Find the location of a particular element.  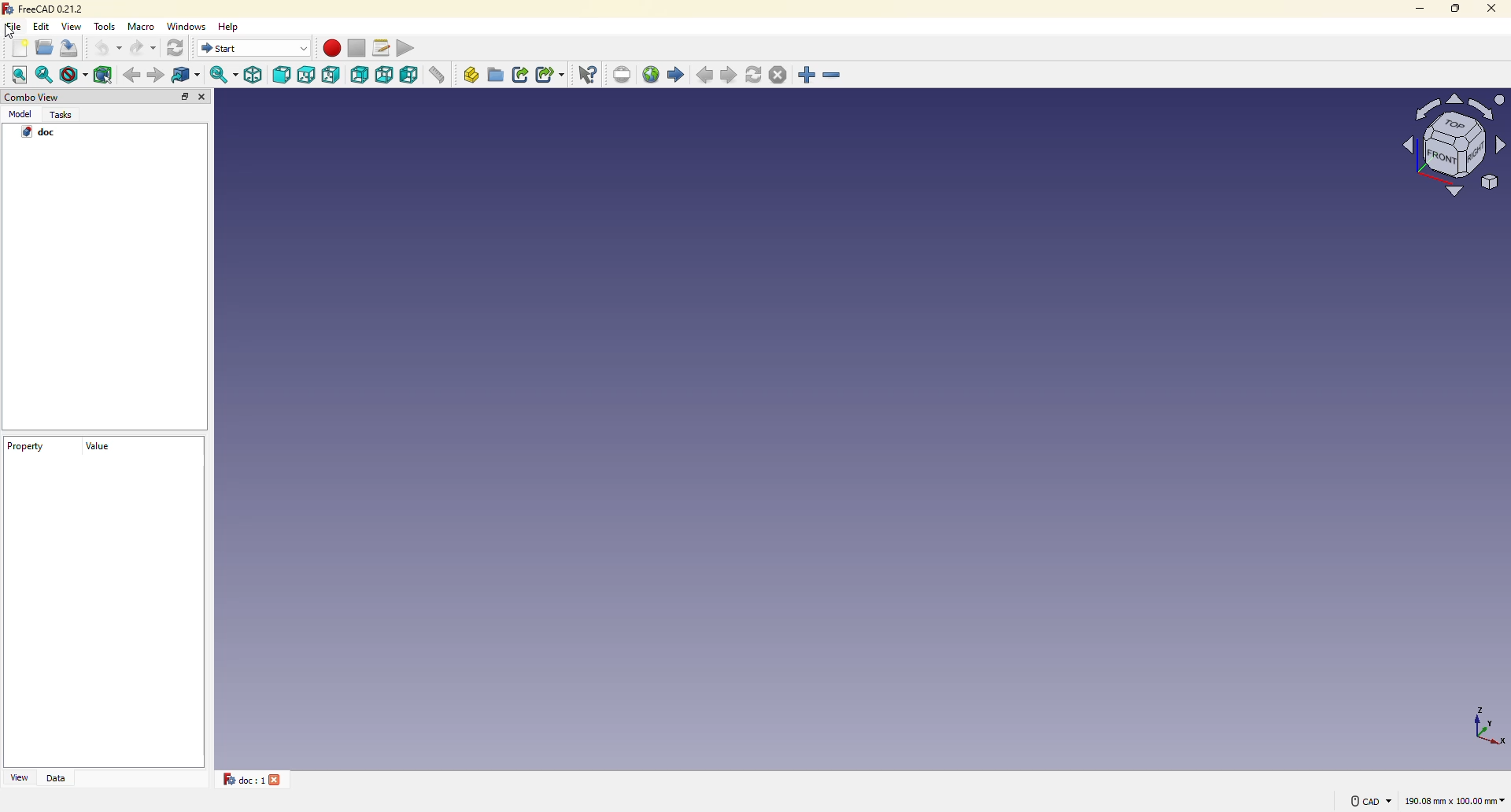

refresh is located at coordinates (178, 49).